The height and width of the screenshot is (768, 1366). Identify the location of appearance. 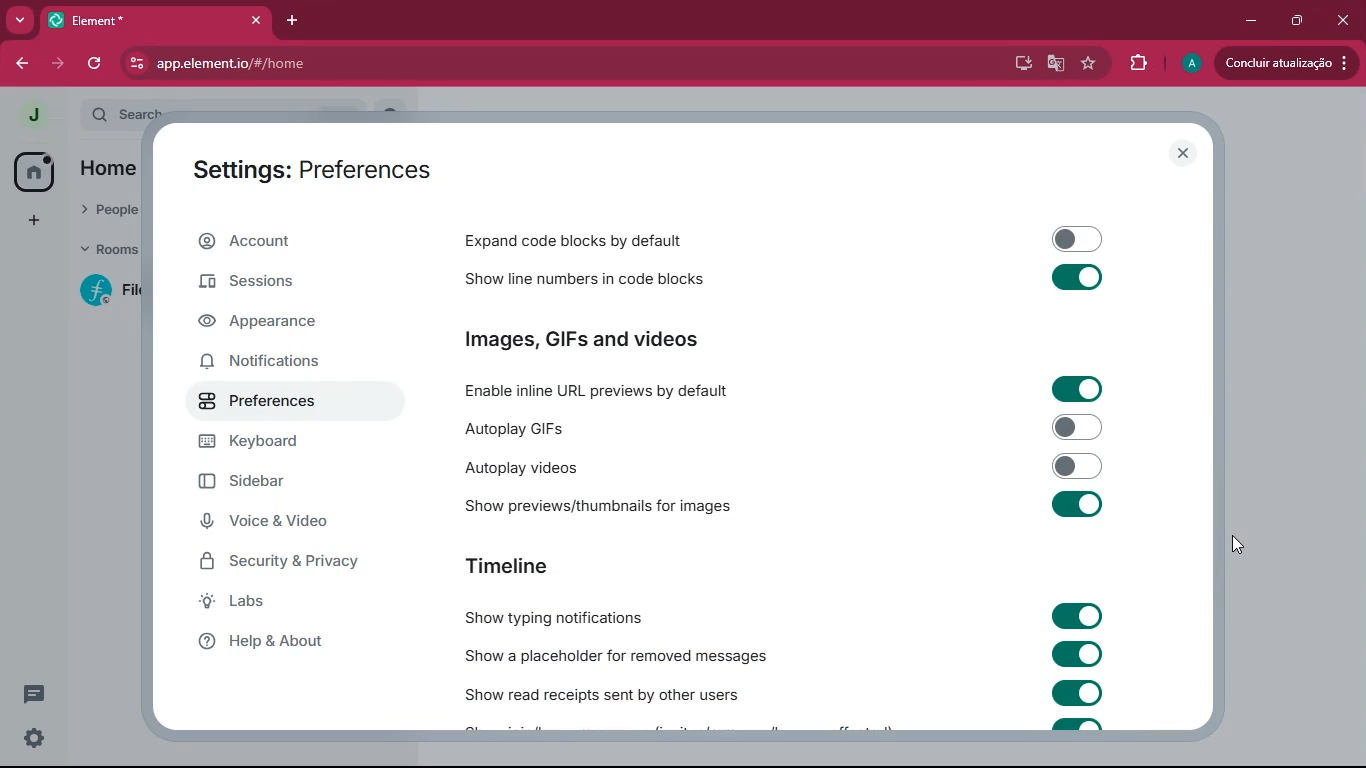
(271, 326).